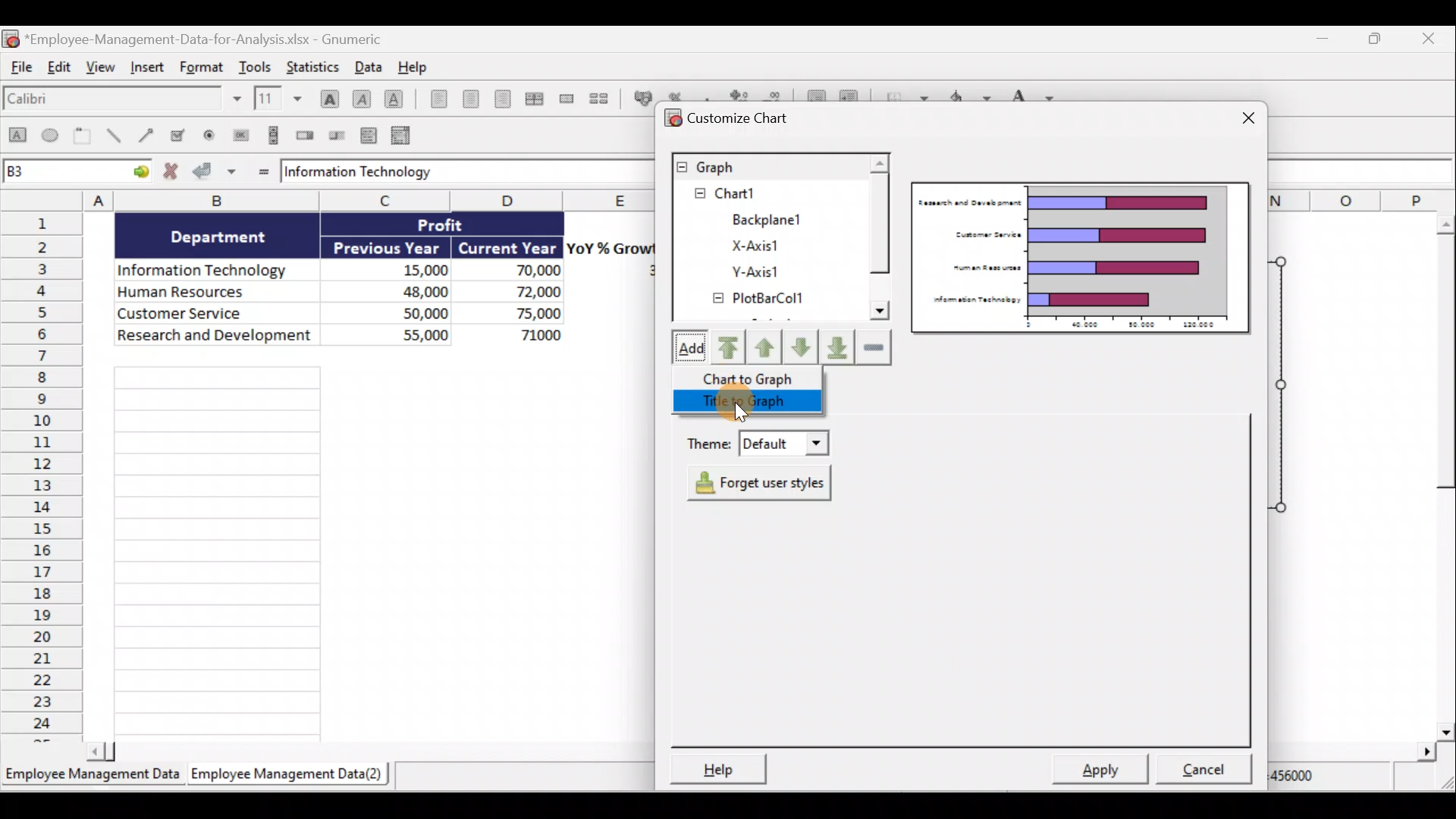  Describe the element at coordinates (534, 96) in the screenshot. I see `Centre horizontally across the selection` at that location.